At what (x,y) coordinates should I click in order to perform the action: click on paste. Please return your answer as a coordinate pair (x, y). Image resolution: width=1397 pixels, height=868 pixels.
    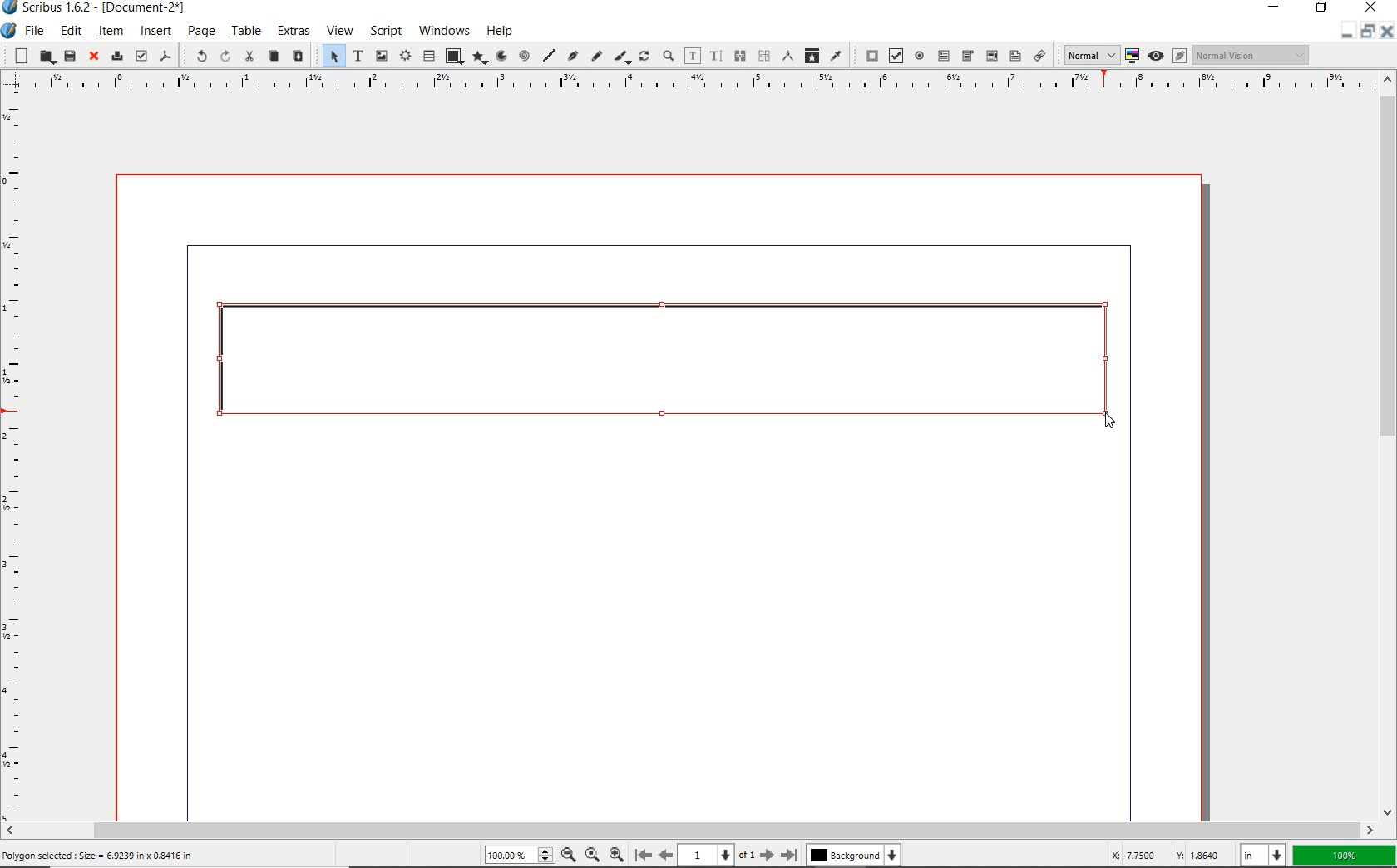
    Looking at the image, I should click on (298, 56).